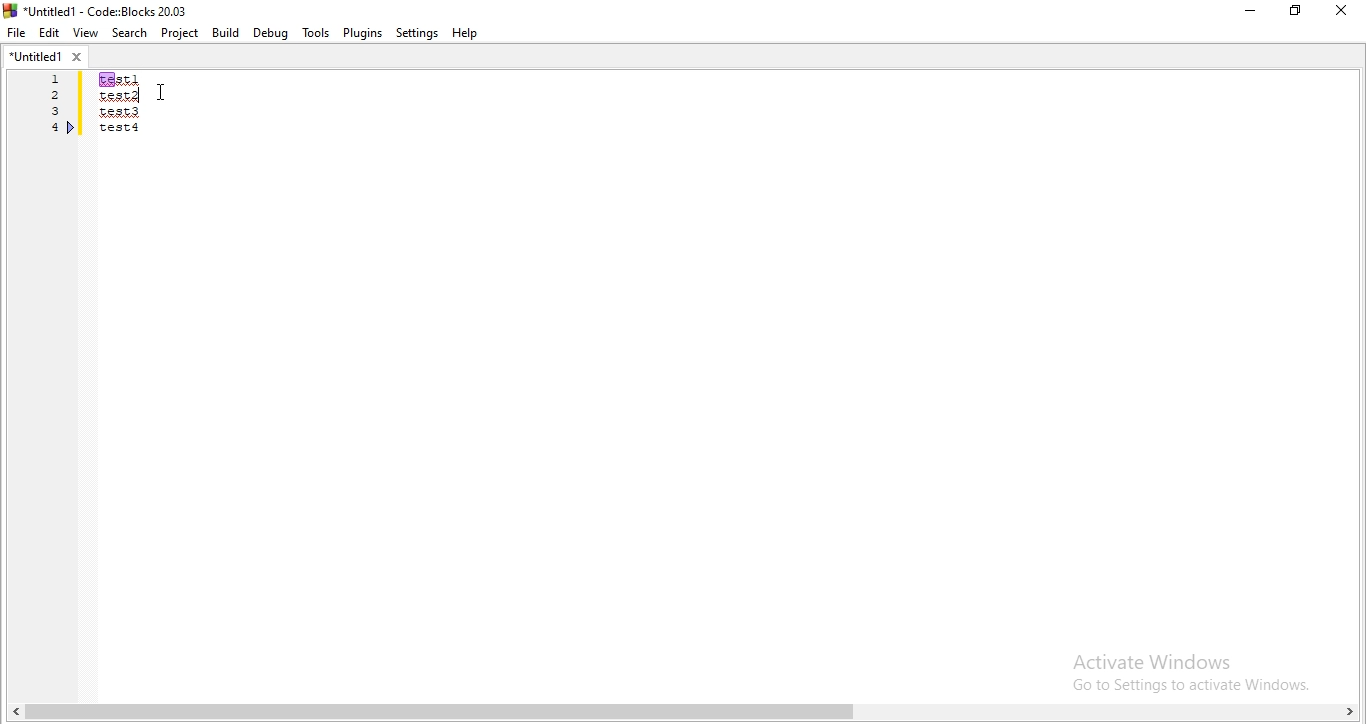 The width and height of the screenshot is (1366, 724). What do you see at coordinates (179, 33) in the screenshot?
I see `Project ` at bounding box center [179, 33].